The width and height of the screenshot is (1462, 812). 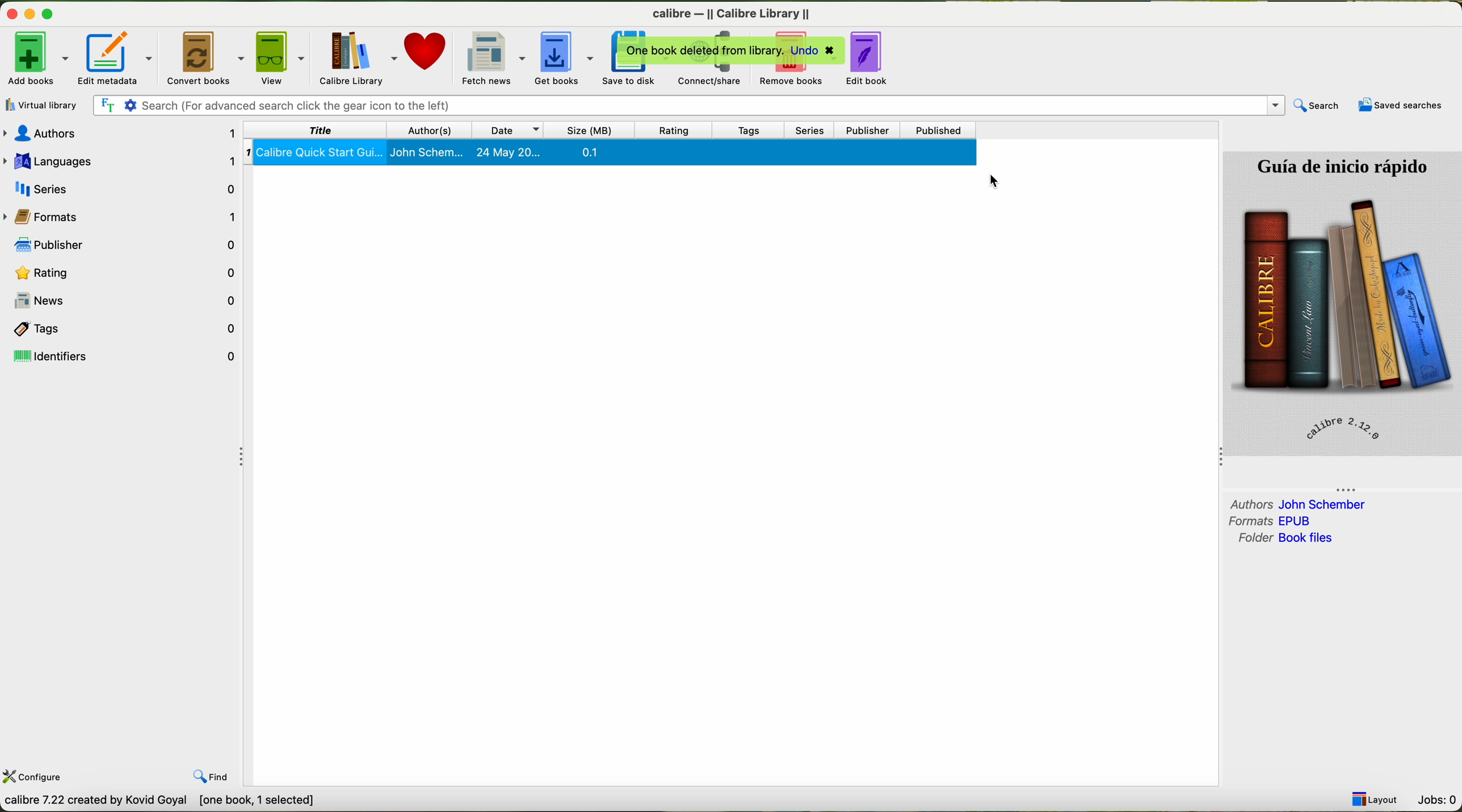 I want to click on authors, so click(x=118, y=133).